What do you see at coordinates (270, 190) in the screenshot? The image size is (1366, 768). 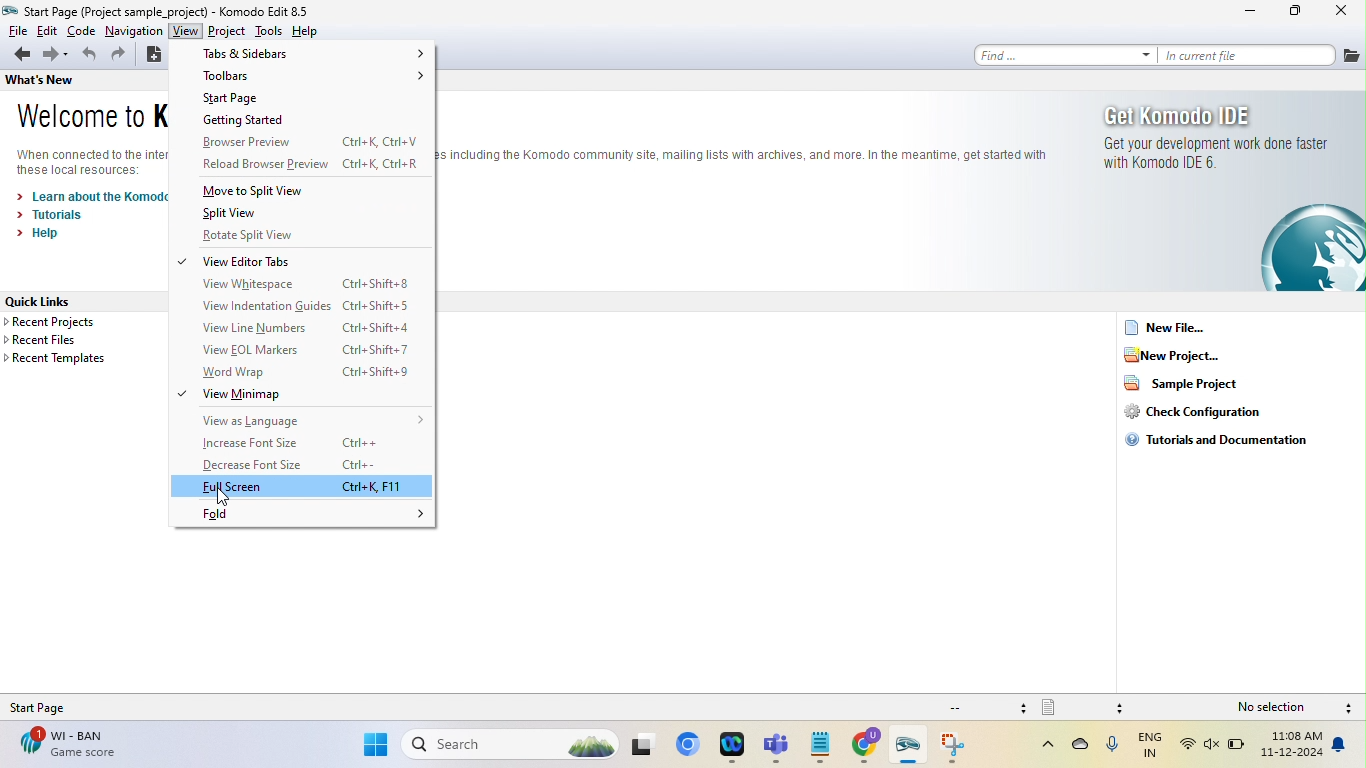 I see `move to split view` at bounding box center [270, 190].